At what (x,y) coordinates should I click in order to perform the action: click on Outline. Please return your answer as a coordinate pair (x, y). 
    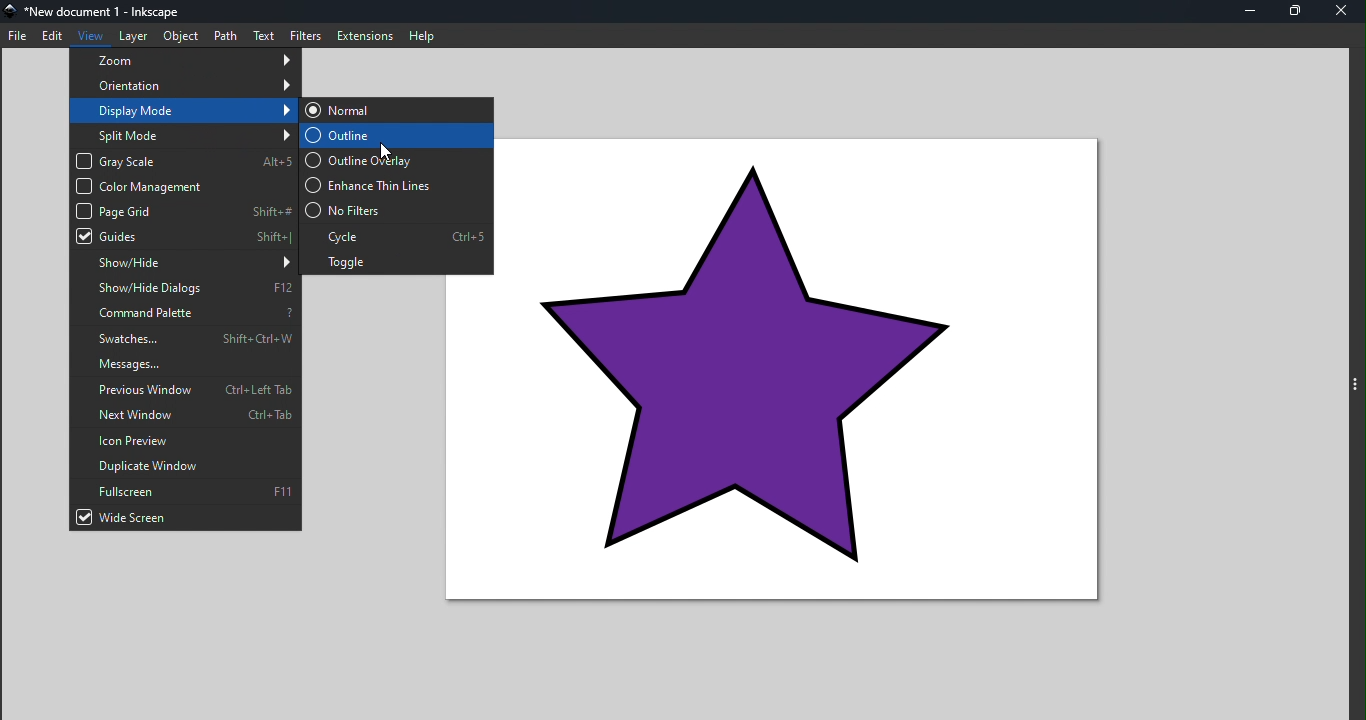
    Looking at the image, I should click on (395, 135).